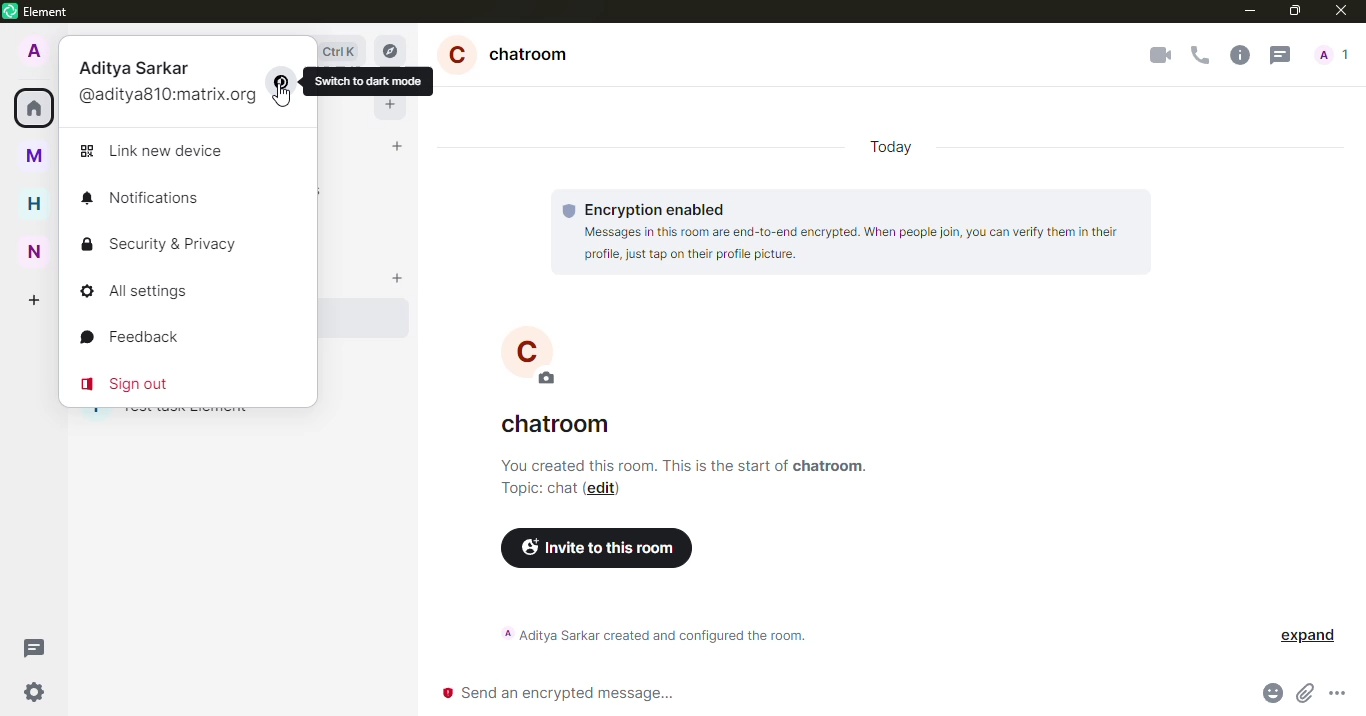 The width and height of the screenshot is (1366, 716). I want to click on start chat, so click(393, 147).